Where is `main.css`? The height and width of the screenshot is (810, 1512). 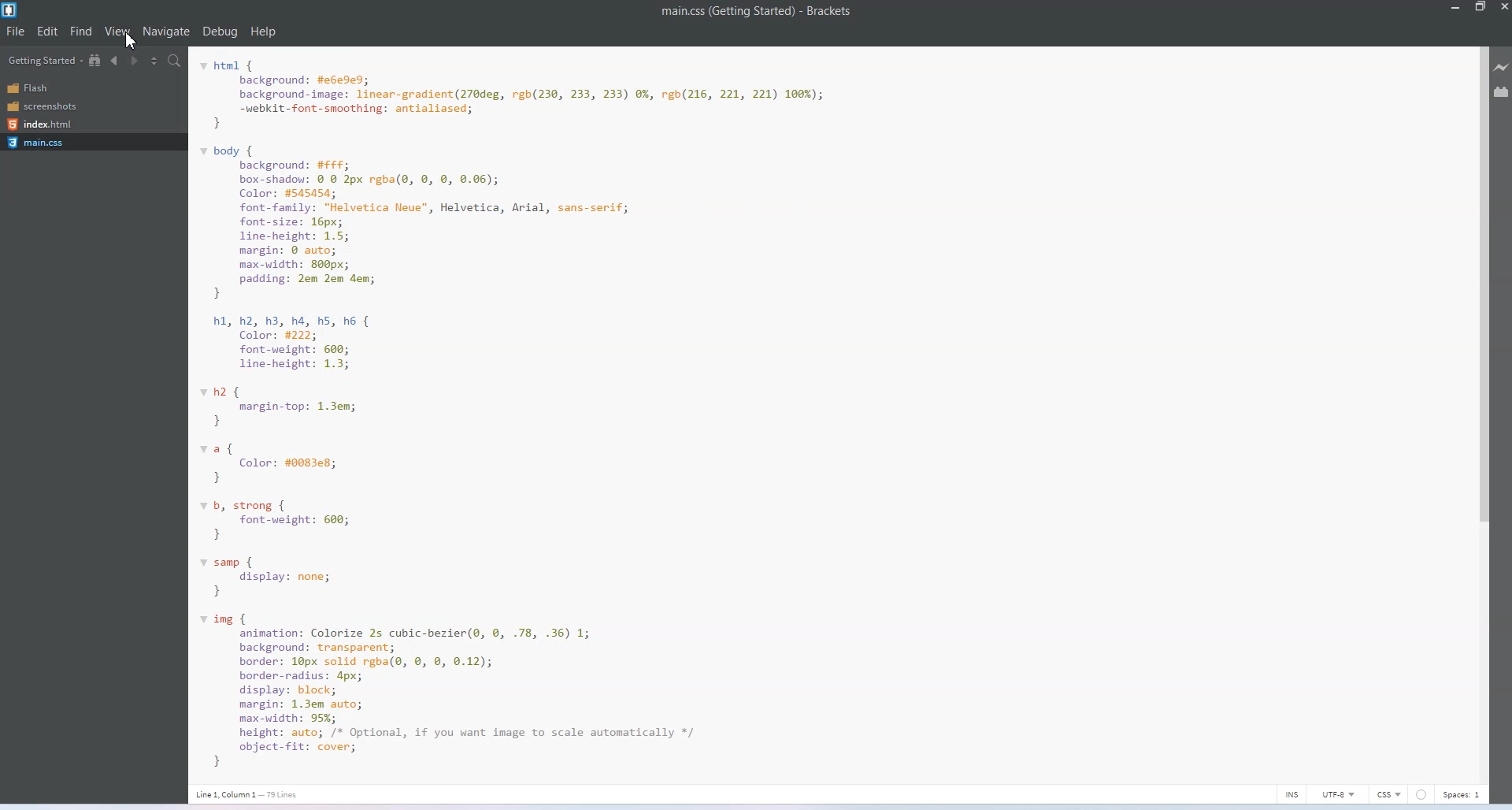 main.css is located at coordinates (43, 143).